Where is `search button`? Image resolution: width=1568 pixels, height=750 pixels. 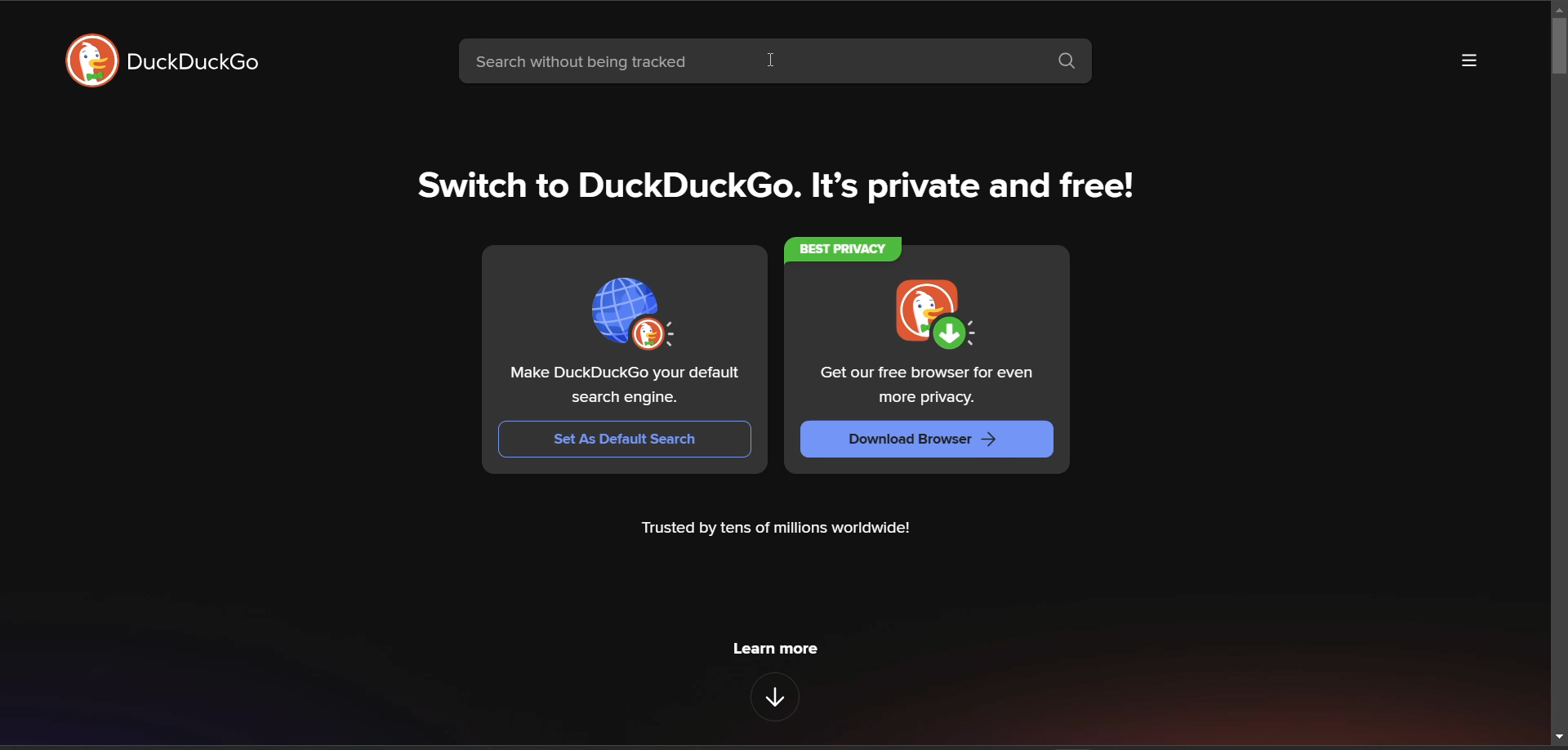
search button is located at coordinates (1073, 65).